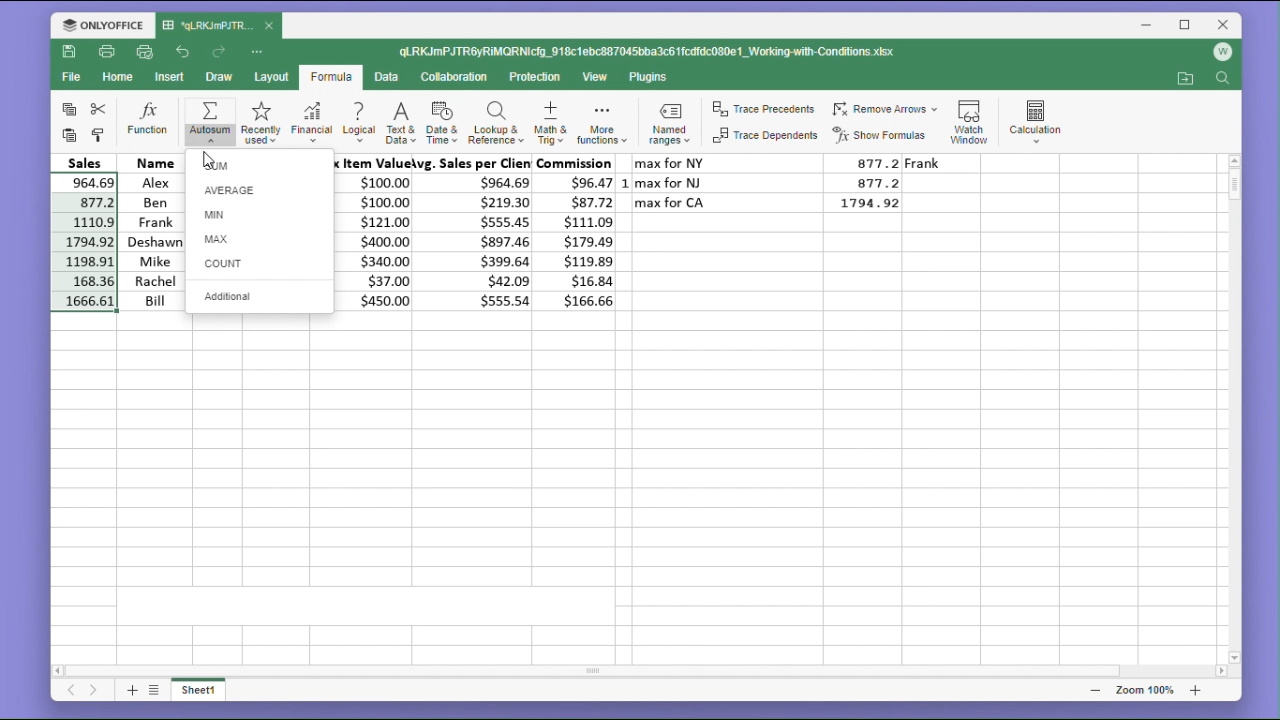  What do you see at coordinates (70, 55) in the screenshot?
I see `save` at bounding box center [70, 55].